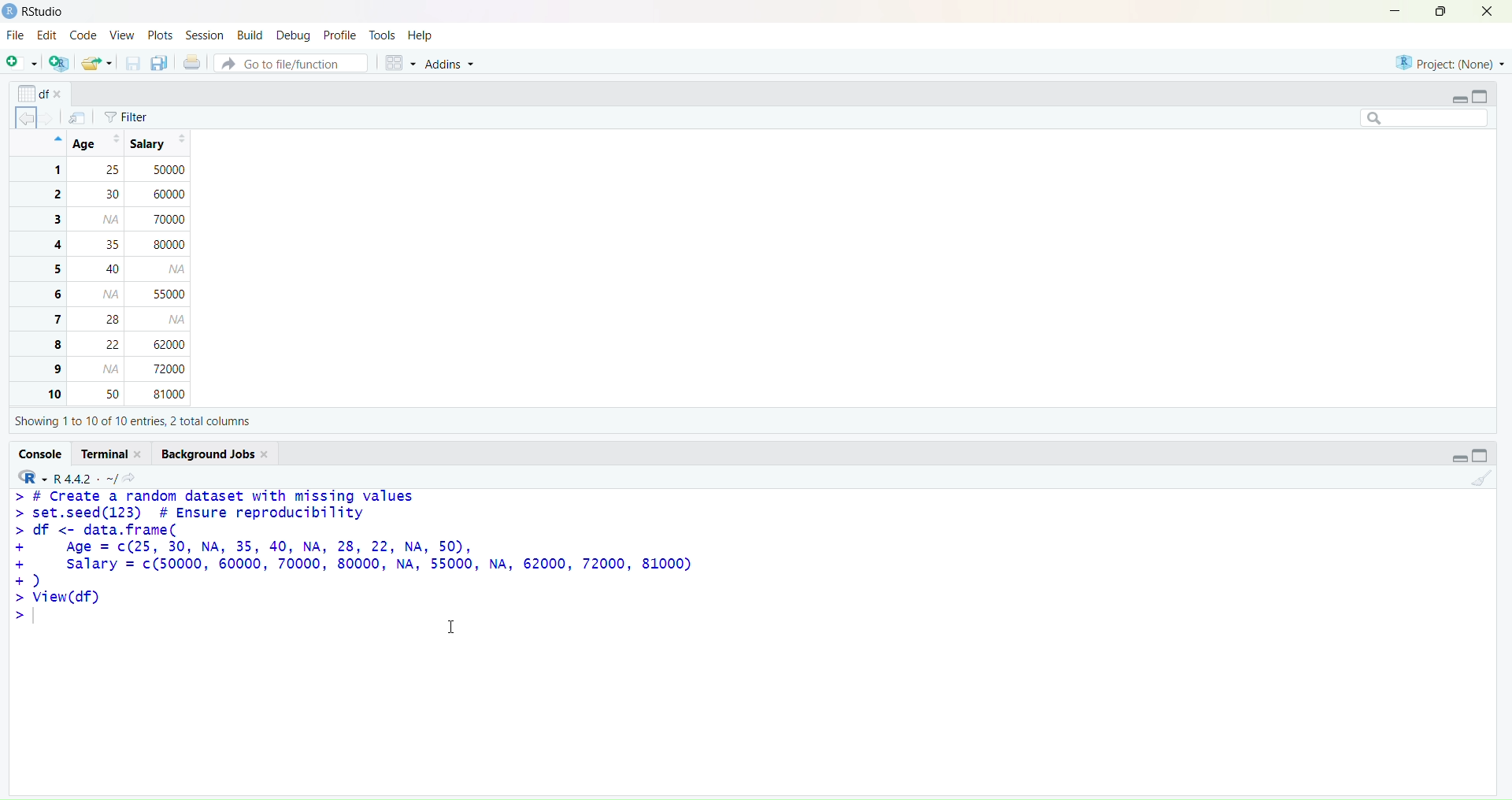 This screenshot has height=800, width=1512. I want to click on edit, so click(48, 35).